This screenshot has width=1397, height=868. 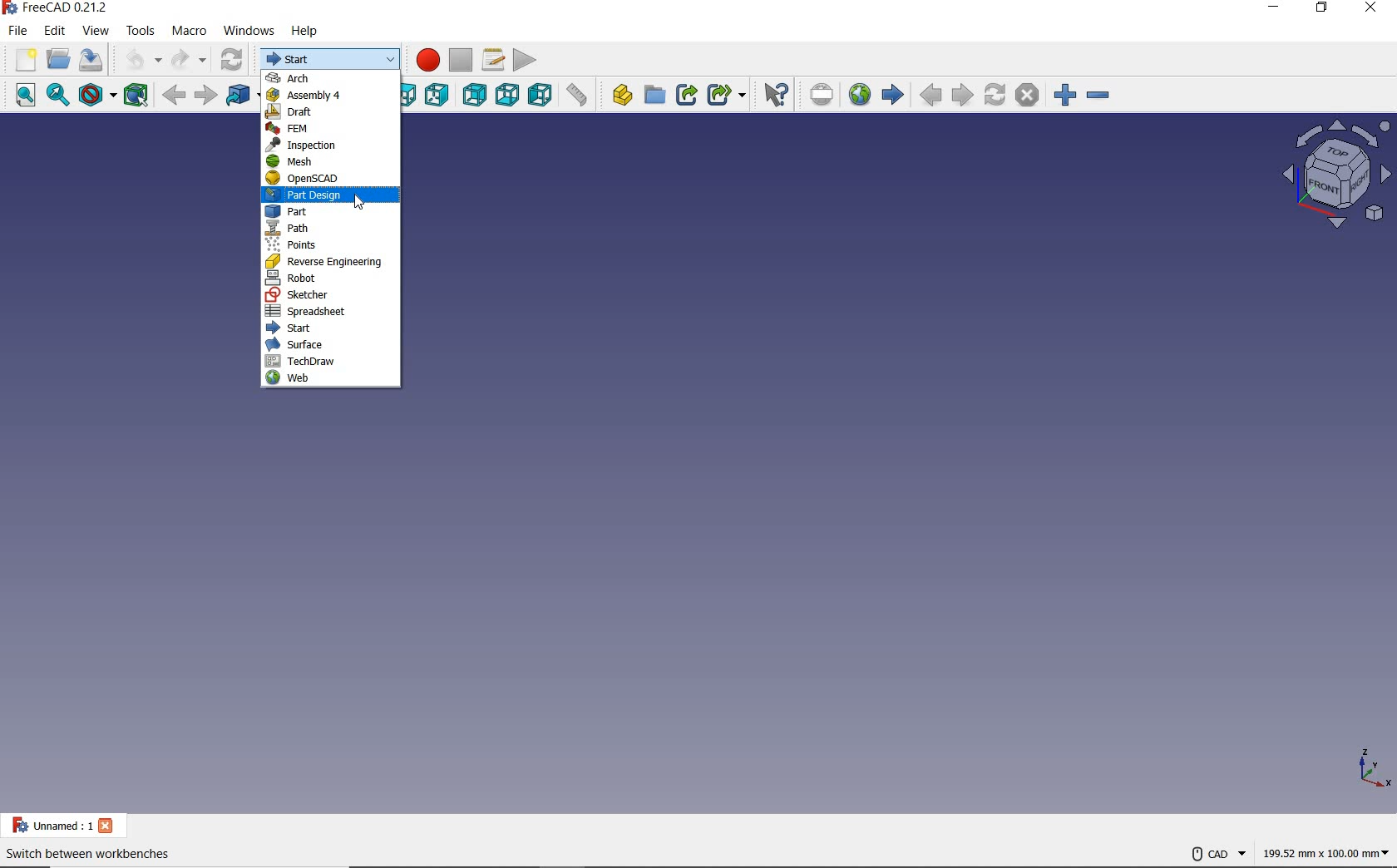 I want to click on PREVIOUS PAGE, so click(x=930, y=96).